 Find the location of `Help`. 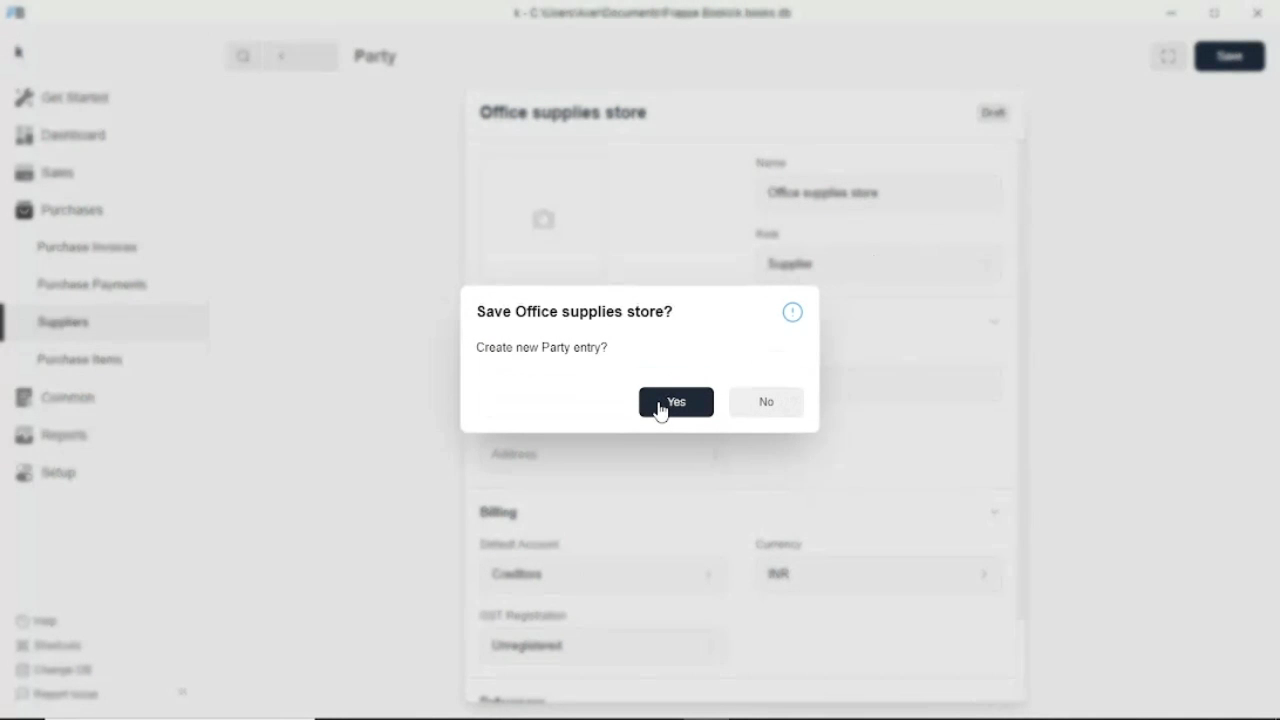

Help is located at coordinates (39, 620).